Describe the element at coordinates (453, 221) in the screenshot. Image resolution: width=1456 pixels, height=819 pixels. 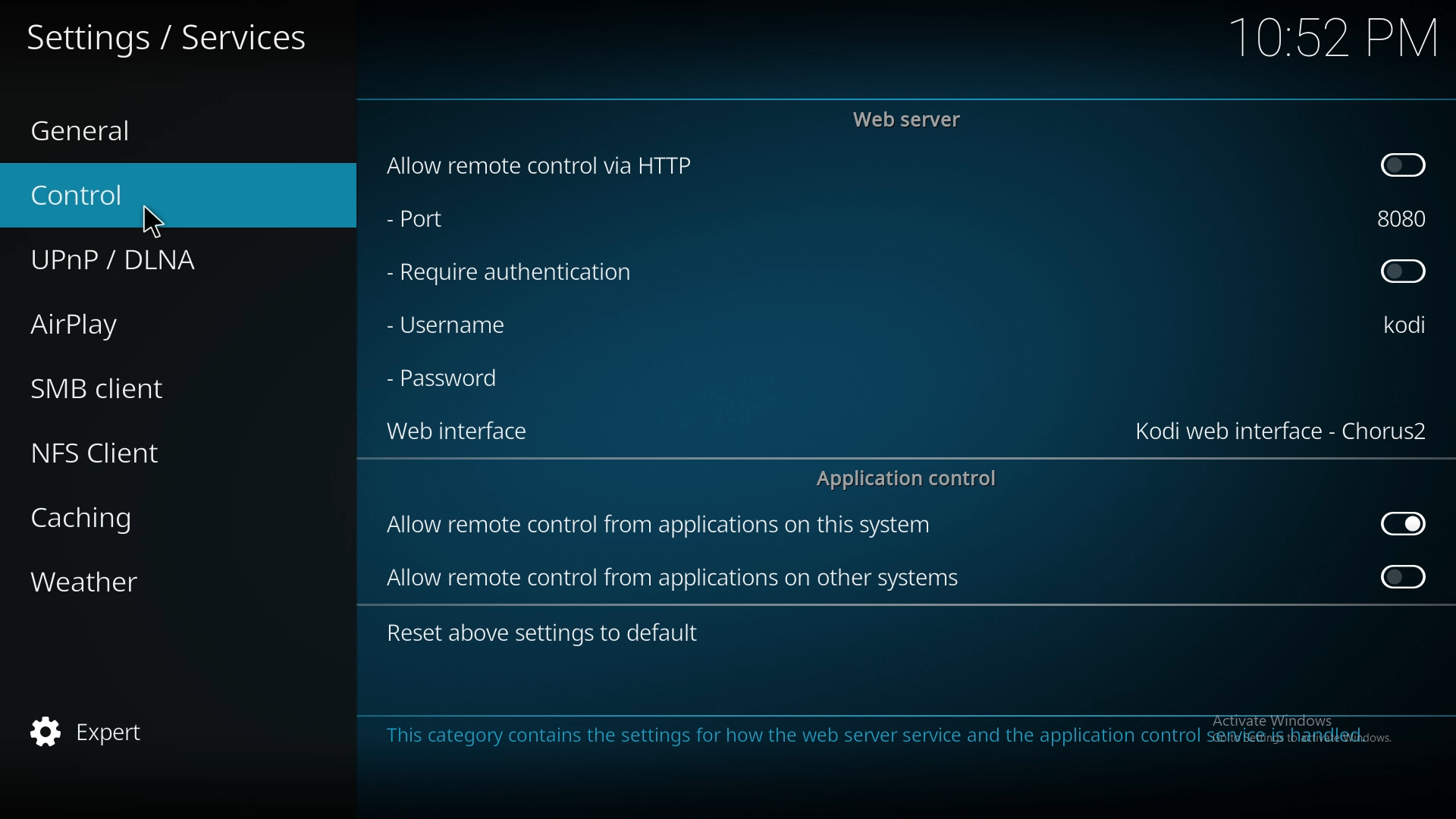
I see `port` at that location.